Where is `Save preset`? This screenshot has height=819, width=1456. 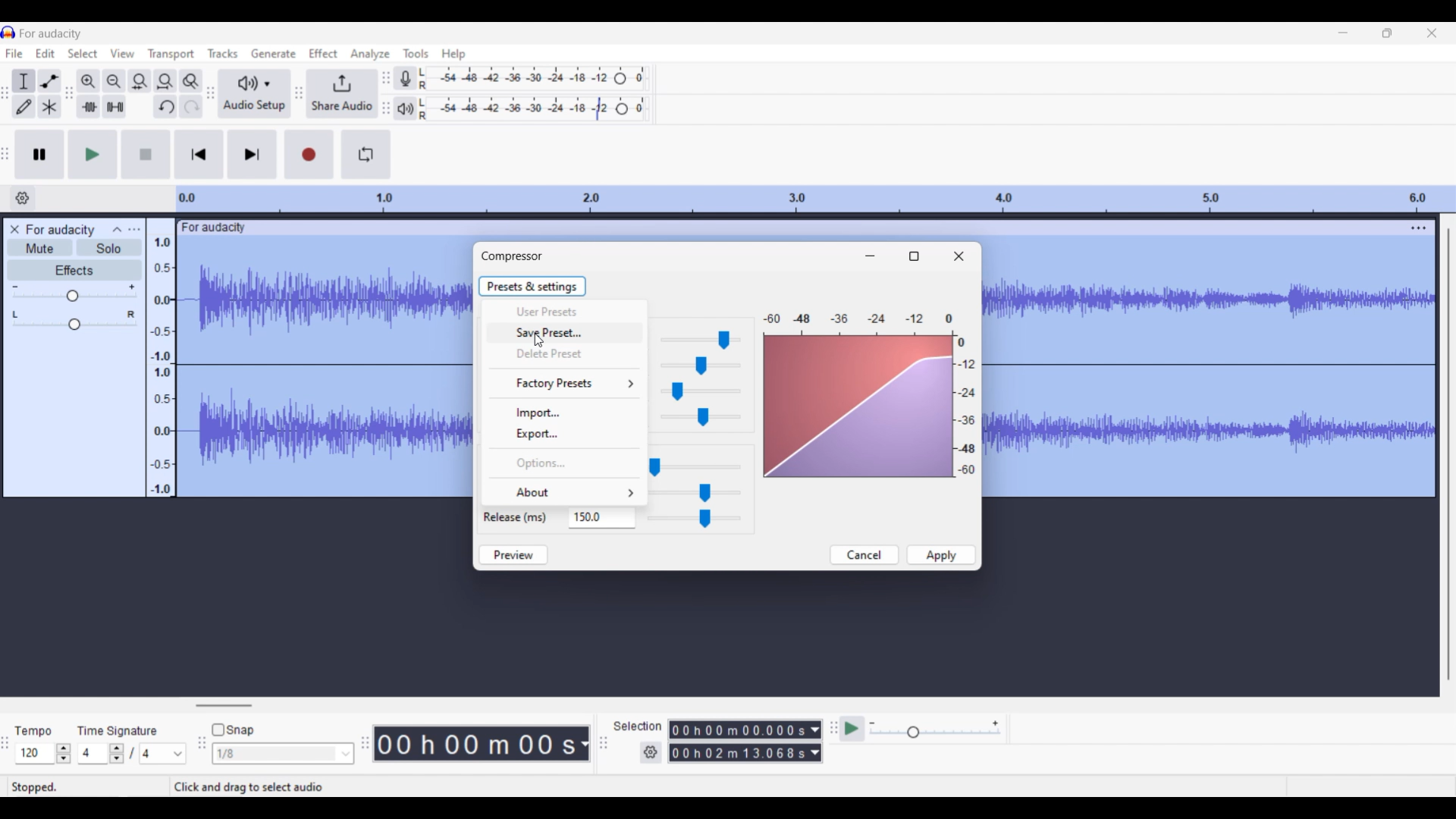
Save preset is located at coordinates (564, 332).